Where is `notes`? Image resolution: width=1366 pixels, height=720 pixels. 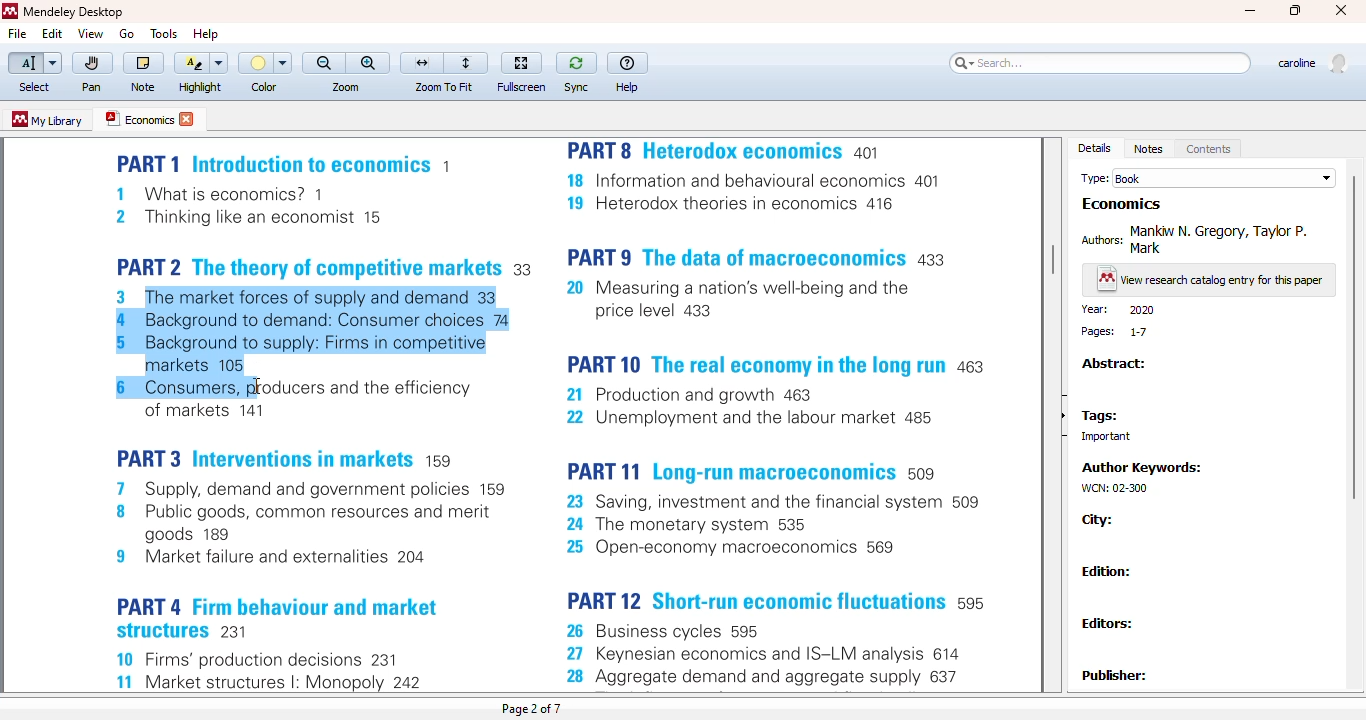
notes is located at coordinates (1148, 149).